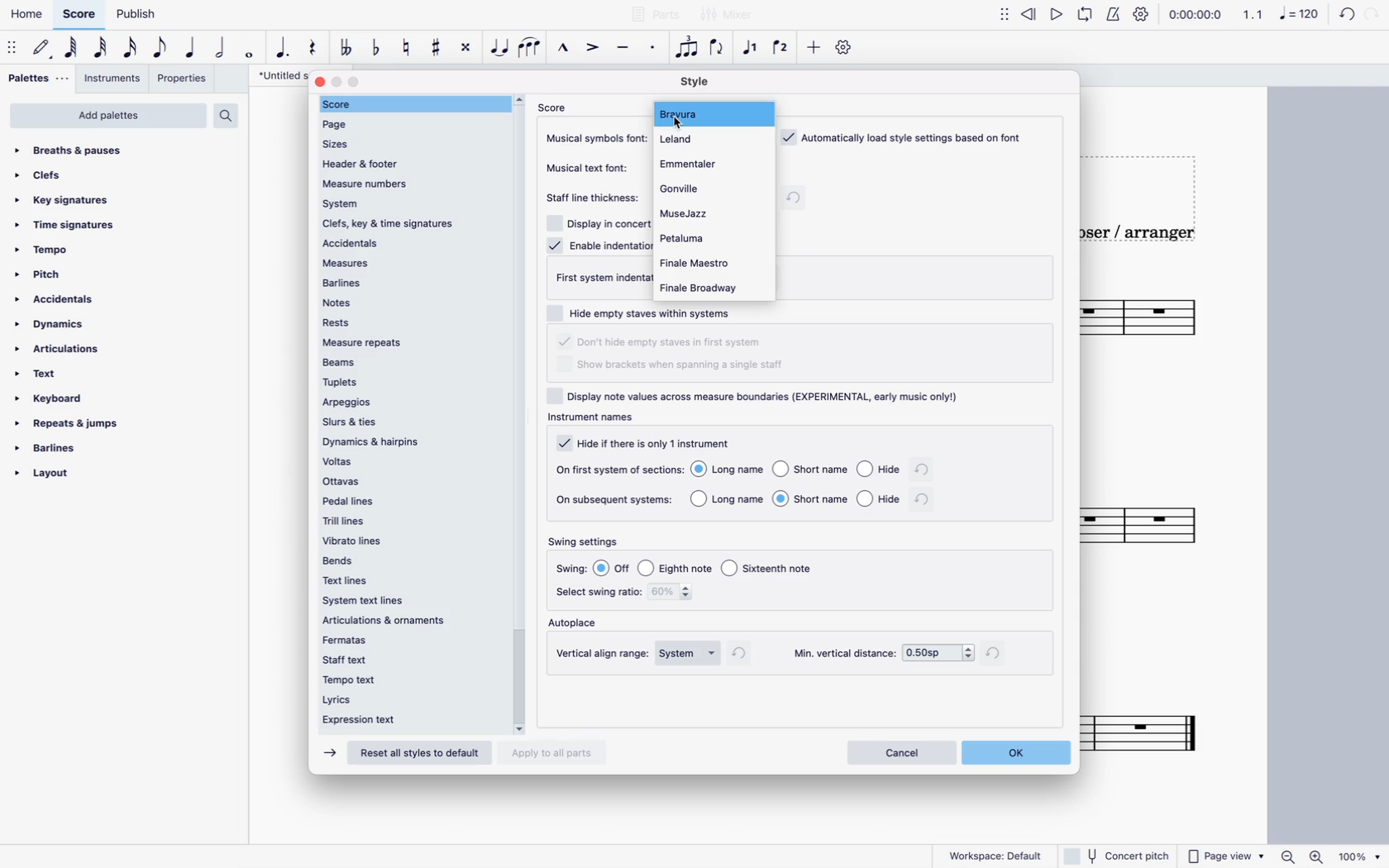  What do you see at coordinates (321, 81) in the screenshot?
I see `close` at bounding box center [321, 81].